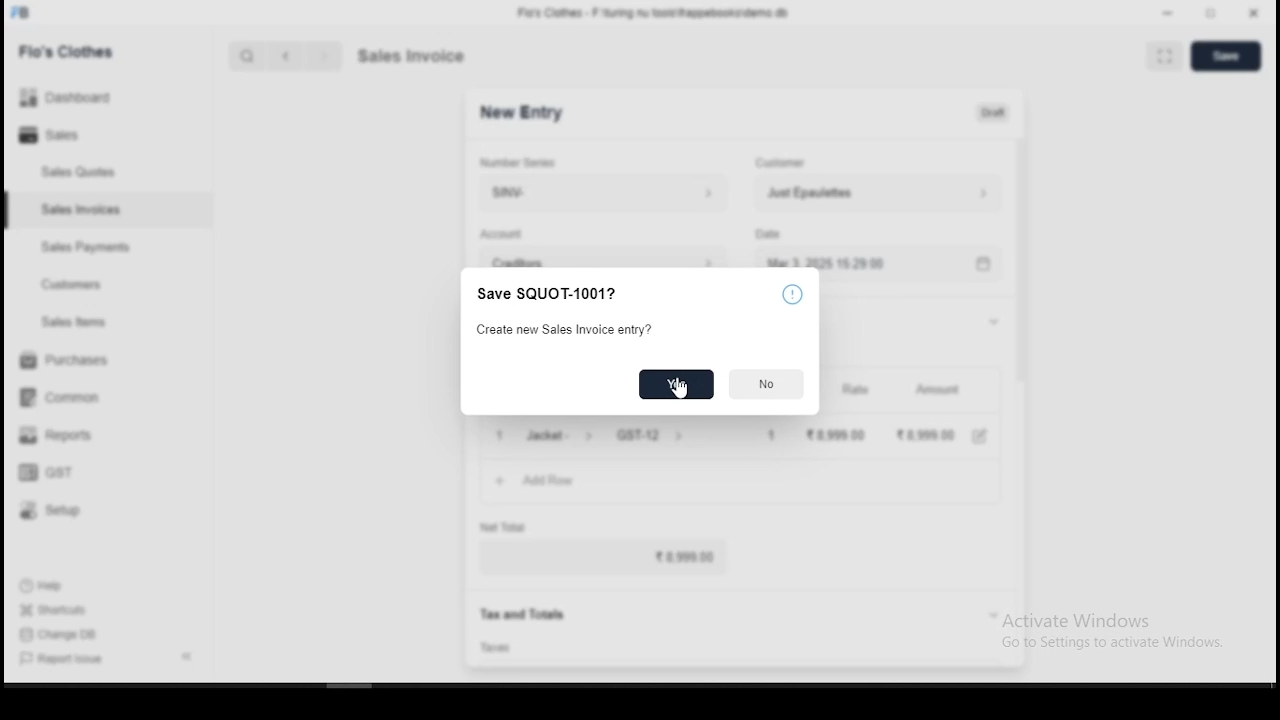  I want to click on number series, so click(523, 156).